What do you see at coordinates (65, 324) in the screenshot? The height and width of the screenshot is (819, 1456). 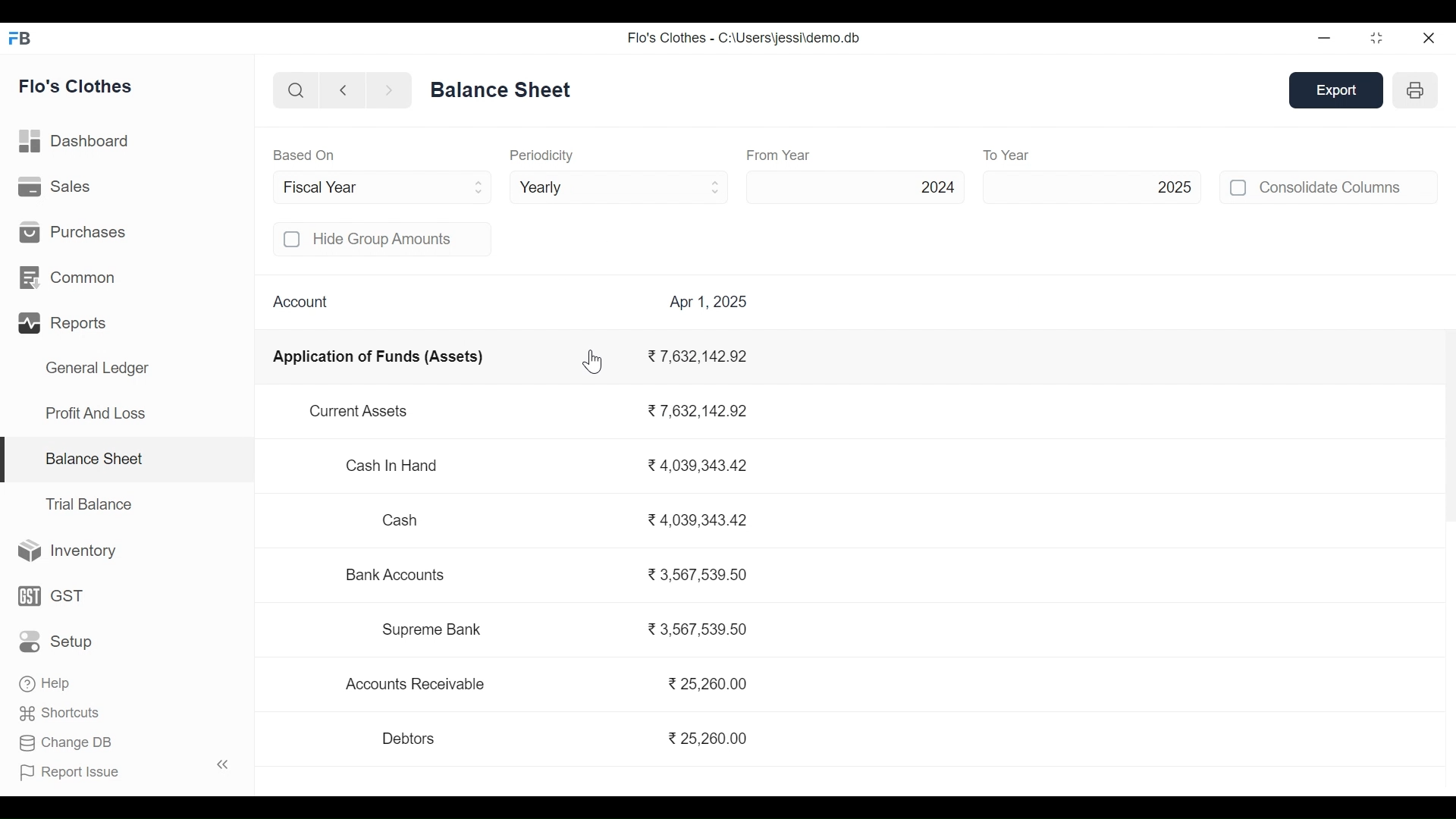 I see `reports` at bounding box center [65, 324].